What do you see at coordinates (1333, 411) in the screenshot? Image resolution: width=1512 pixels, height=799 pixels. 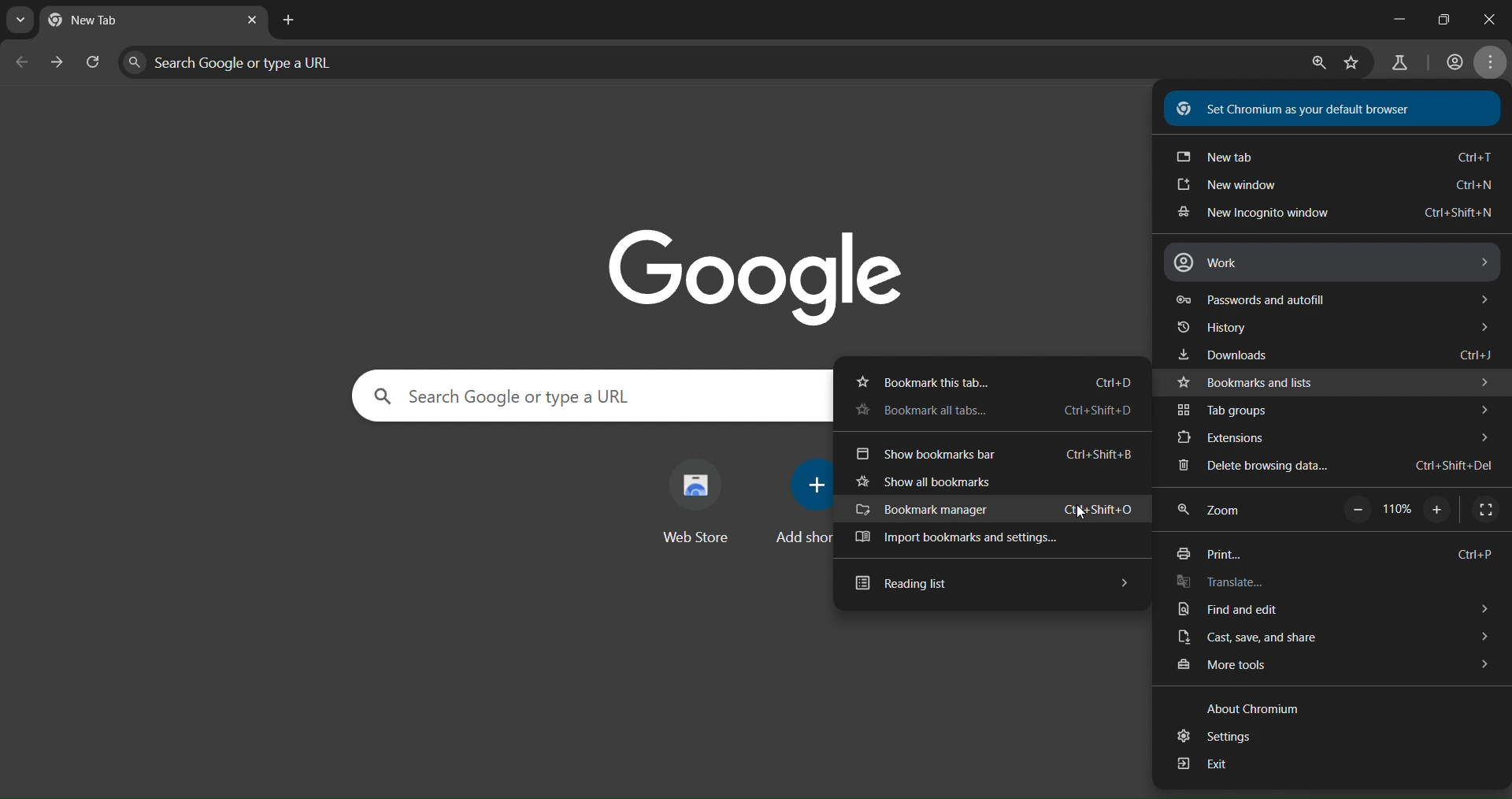 I see `tab groups` at bounding box center [1333, 411].